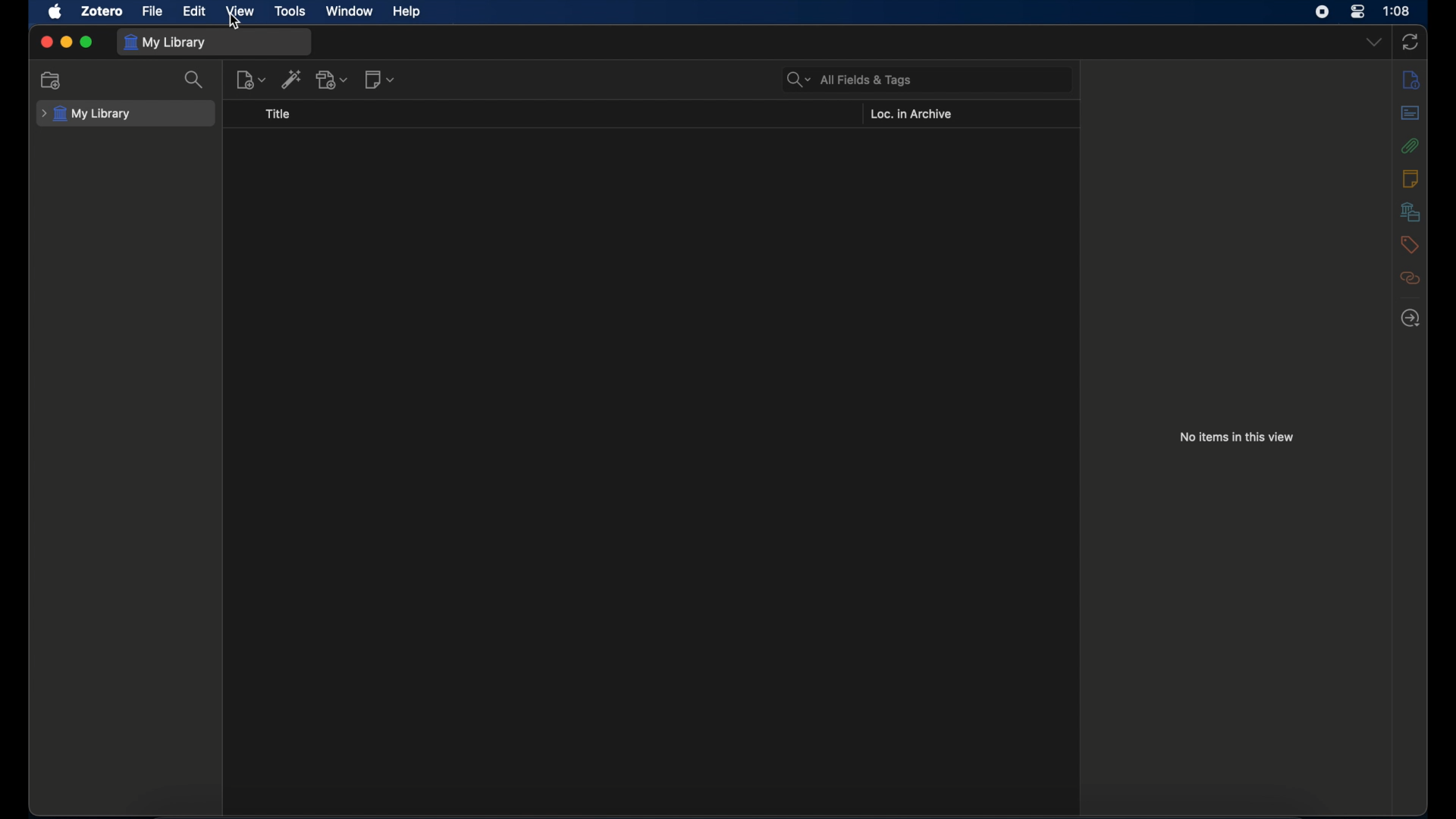  What do you see at coordinates (1236, 438) in the screenshot?
I see `no items in this view` at bounding box center [1236, 438].